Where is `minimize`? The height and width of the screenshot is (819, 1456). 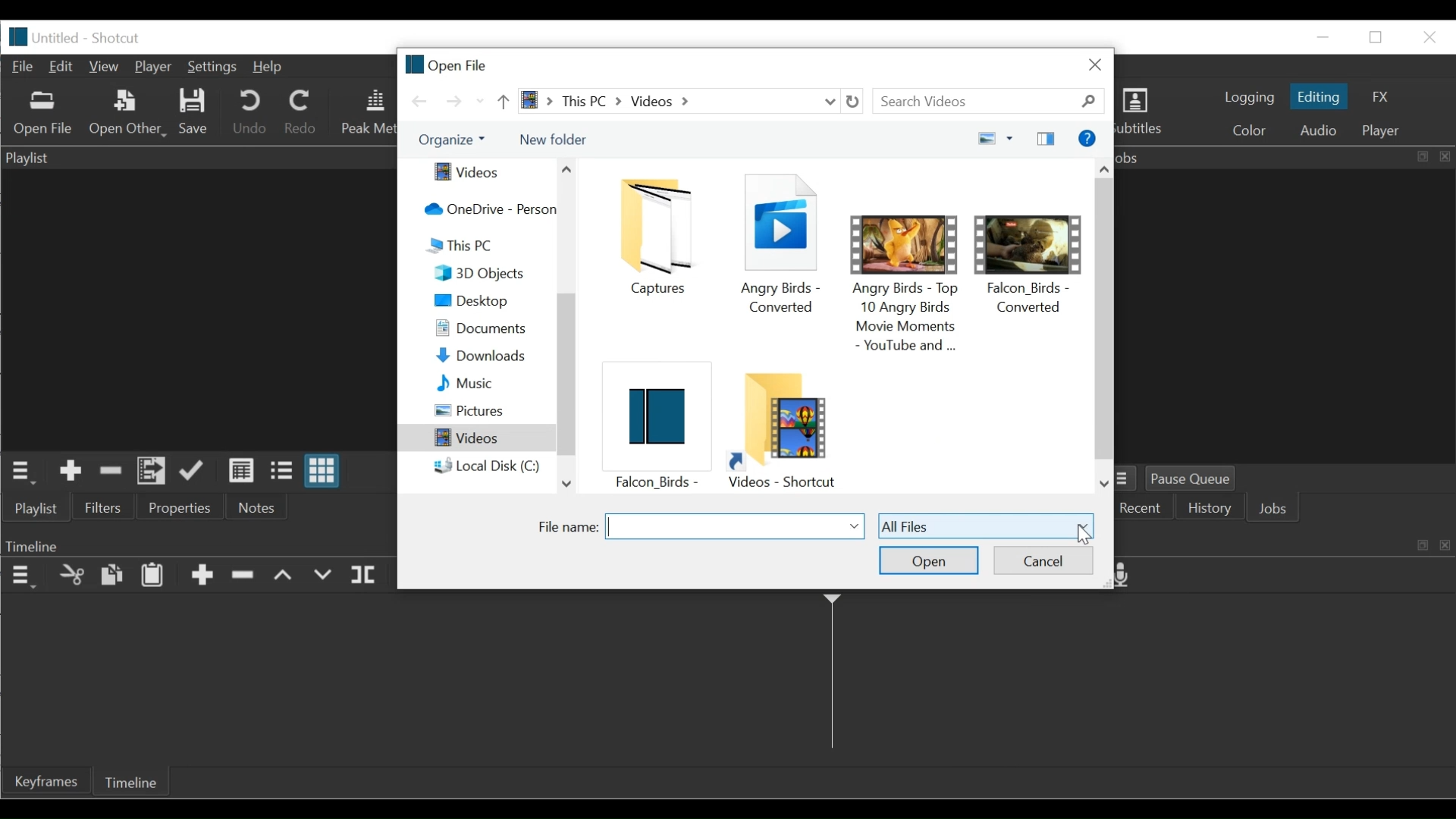
minimize is located at coordinates (1322, 37).